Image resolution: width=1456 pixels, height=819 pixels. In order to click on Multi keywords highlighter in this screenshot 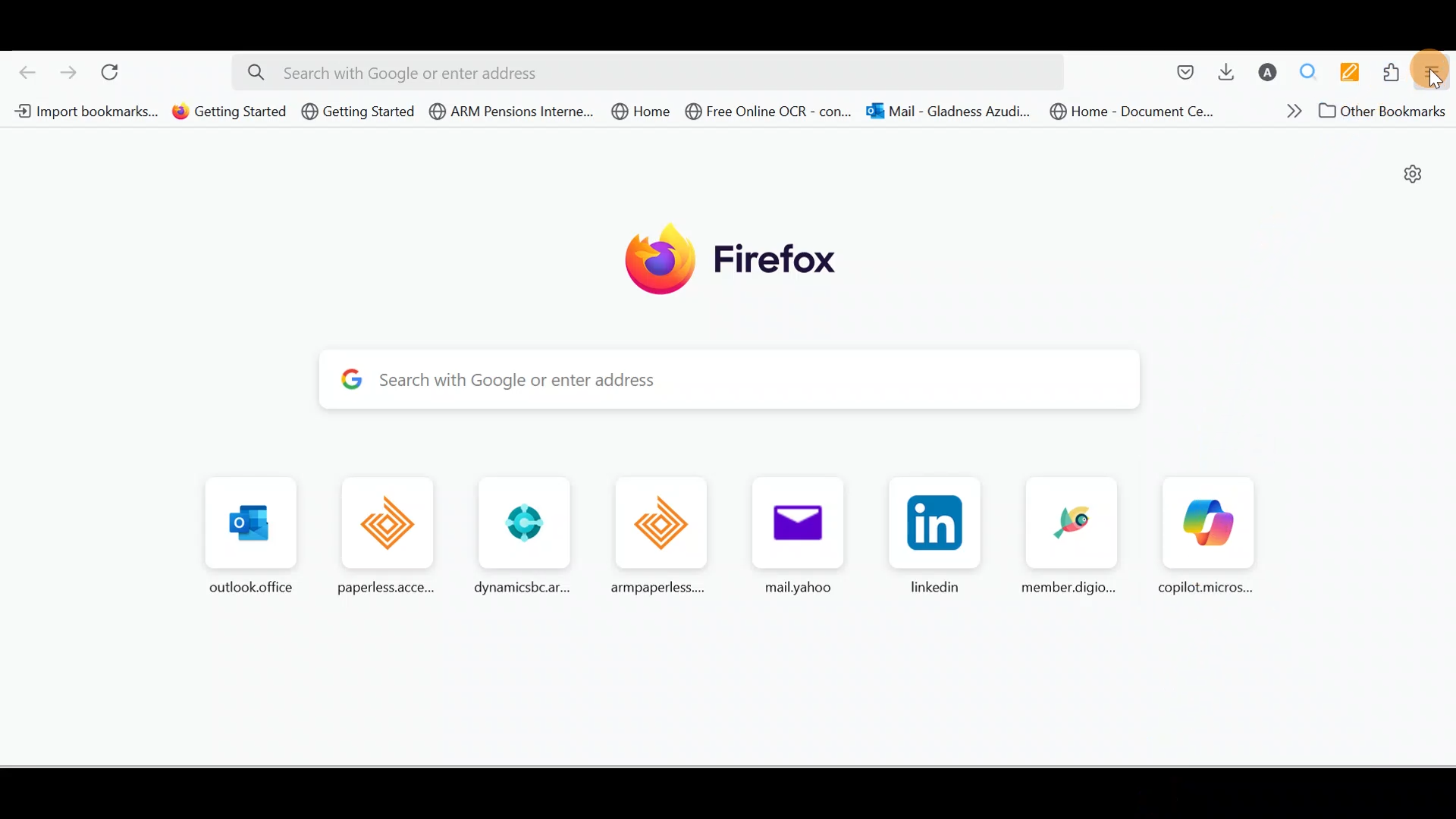, I will do `click(1346, 73)`.